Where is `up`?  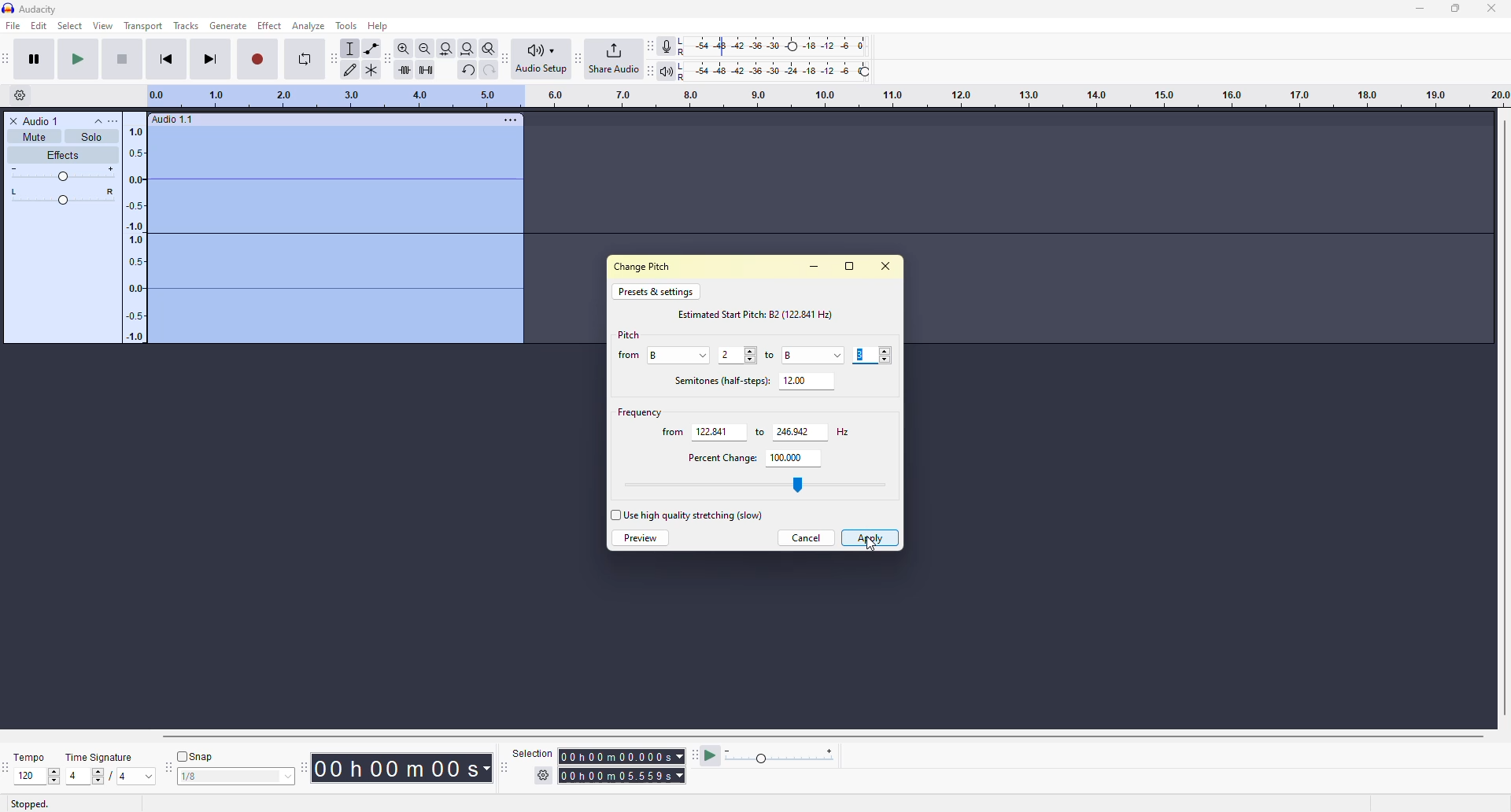
up is located at coordinates (885, 350).